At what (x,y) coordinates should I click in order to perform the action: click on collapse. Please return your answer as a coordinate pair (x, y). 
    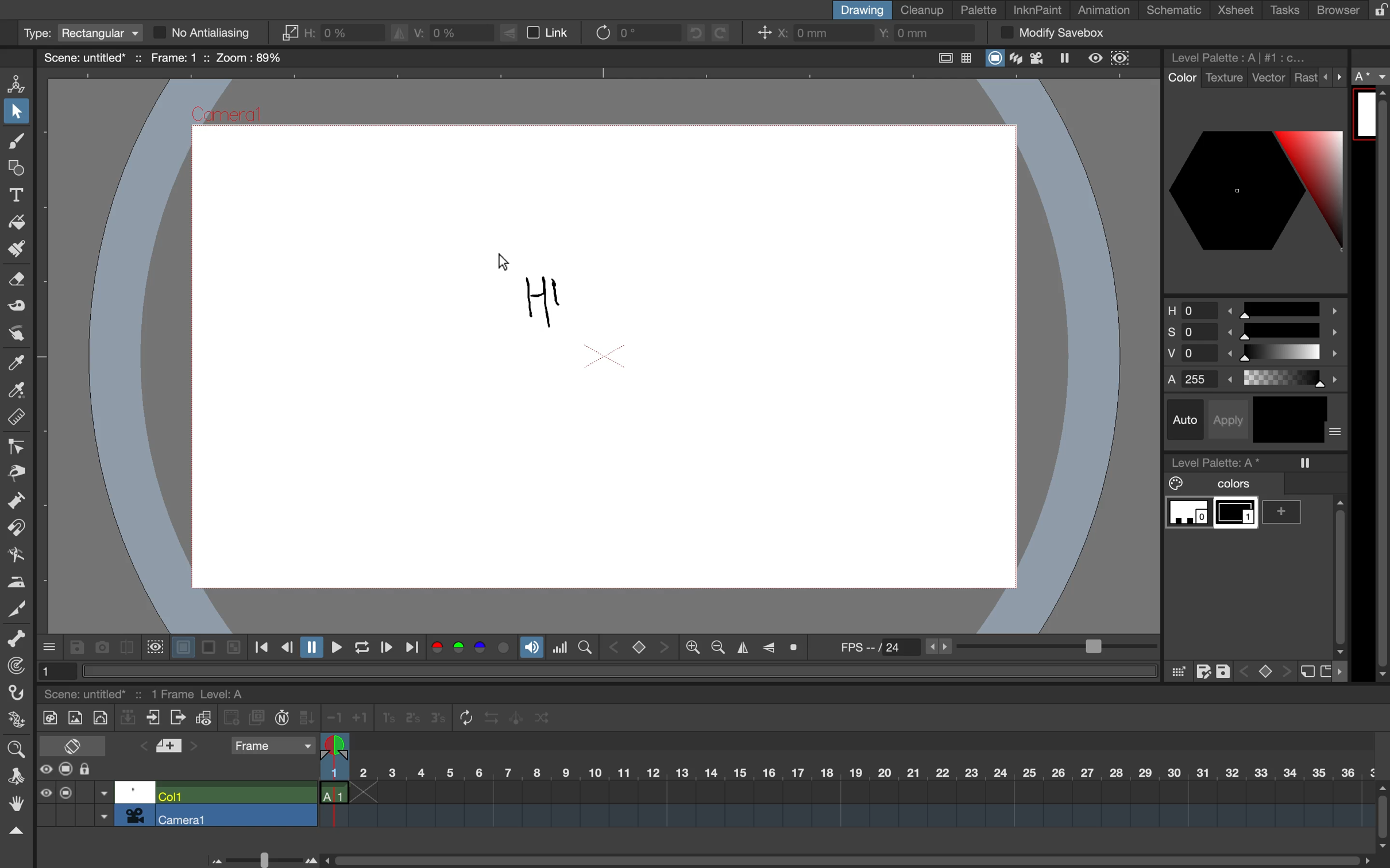
    Looking at the image, I should click on (15, 831).